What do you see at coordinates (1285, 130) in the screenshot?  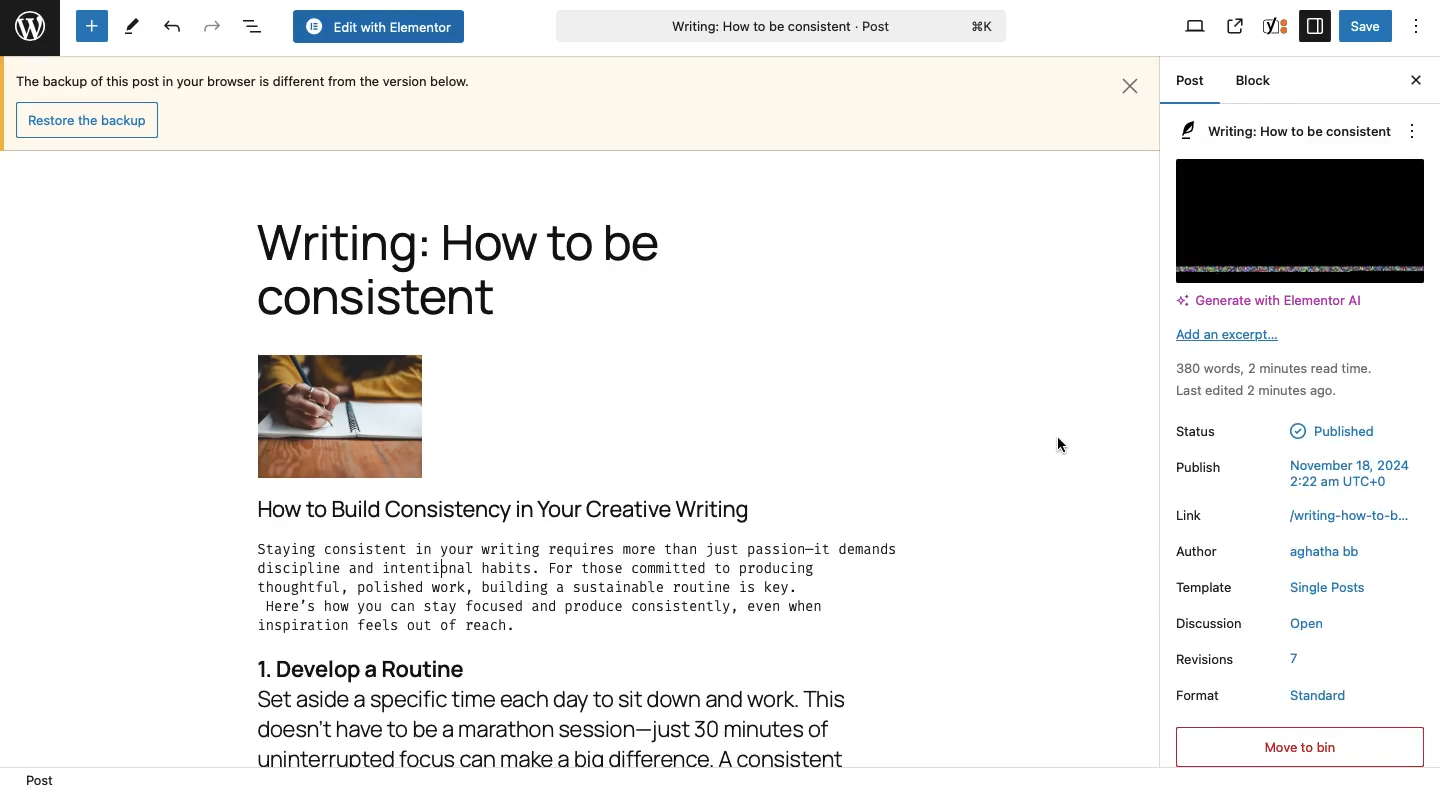 I see `Paragraph` at bounding box center [1285, 130].